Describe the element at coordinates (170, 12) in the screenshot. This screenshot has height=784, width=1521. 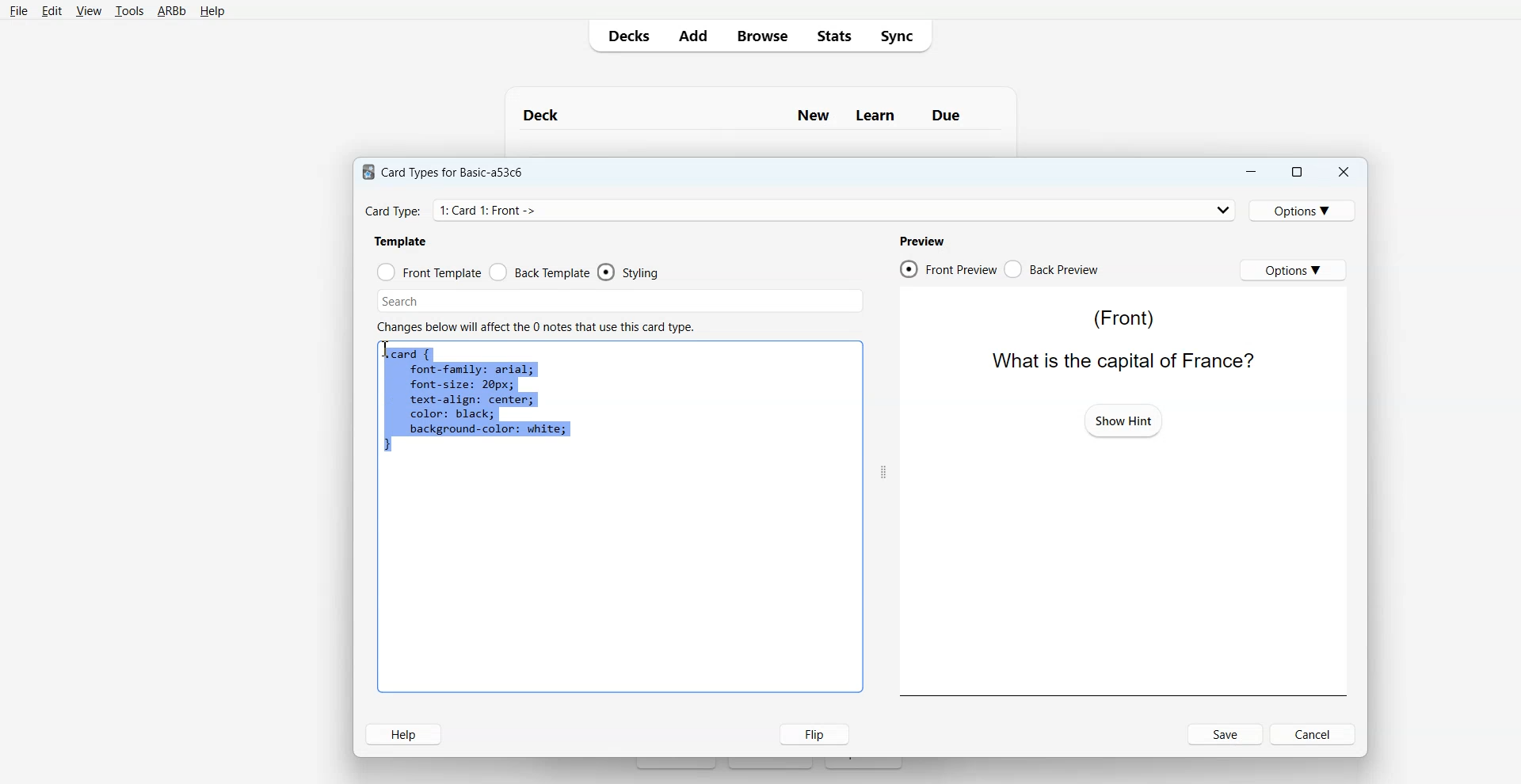
I see `ARBb` at that location.